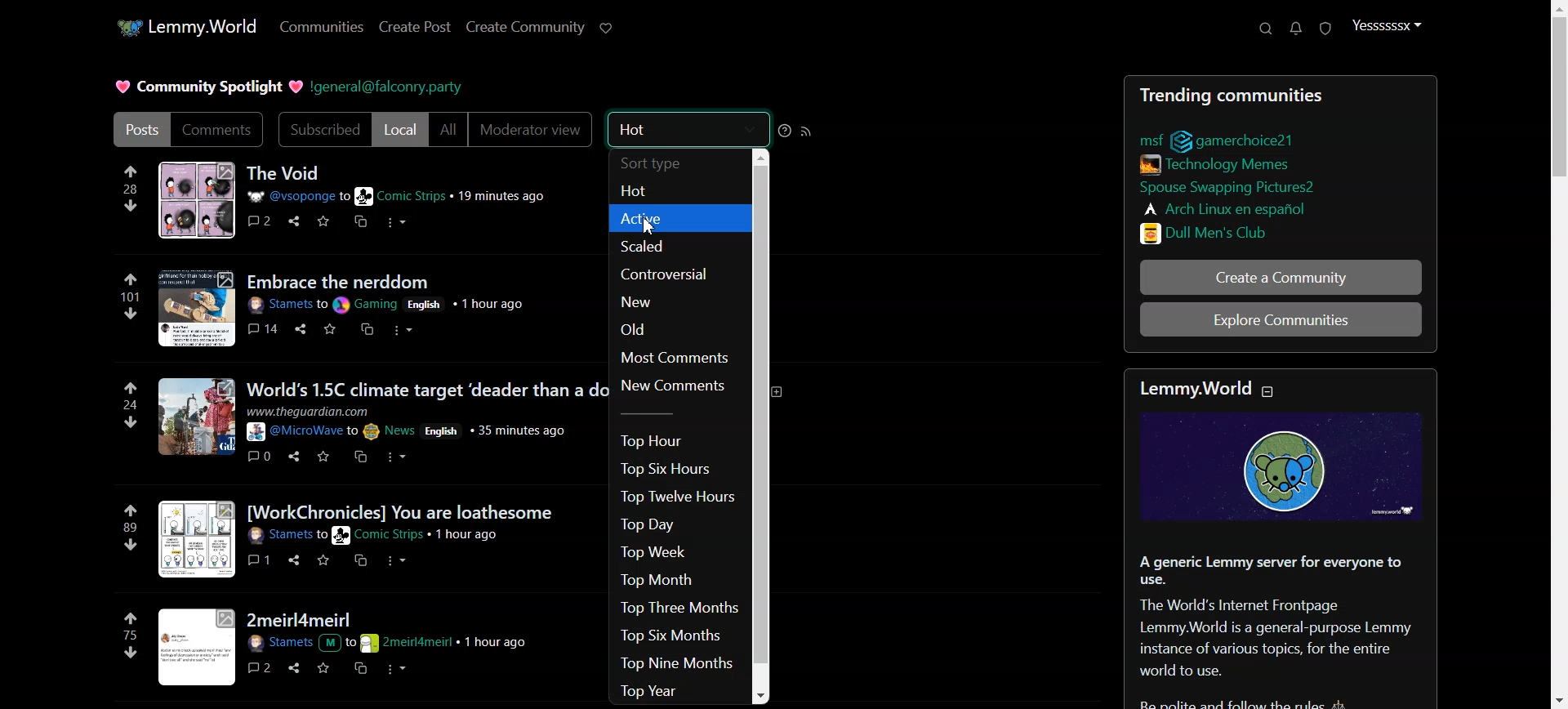 This screenshot has width=1568, height=709. What do you see at coordinates (257, 559) in the screenshot?
I see `` at bounding box center [257, 559].